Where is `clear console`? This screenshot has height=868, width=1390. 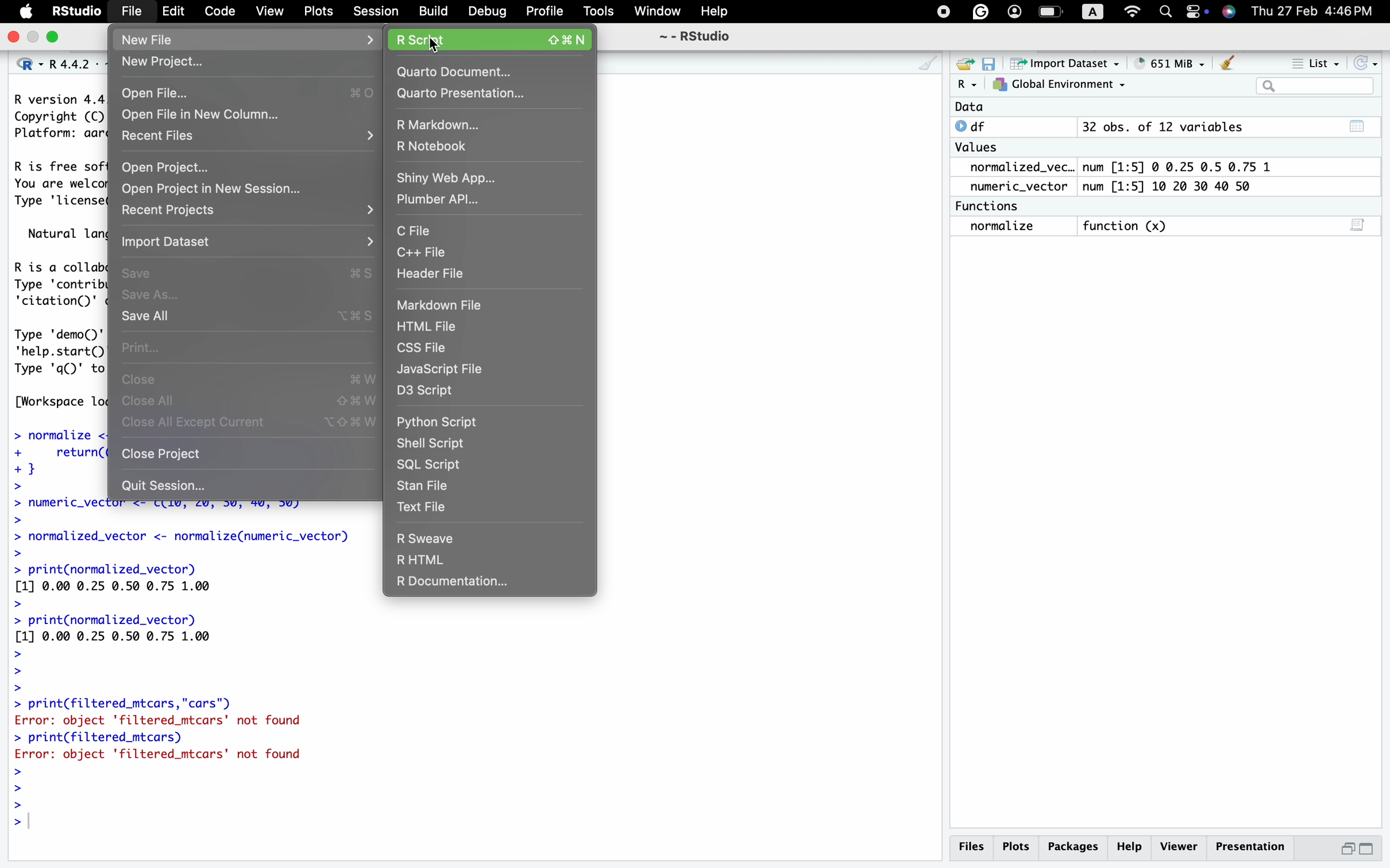
clear console is located at coordinates (922, 60).